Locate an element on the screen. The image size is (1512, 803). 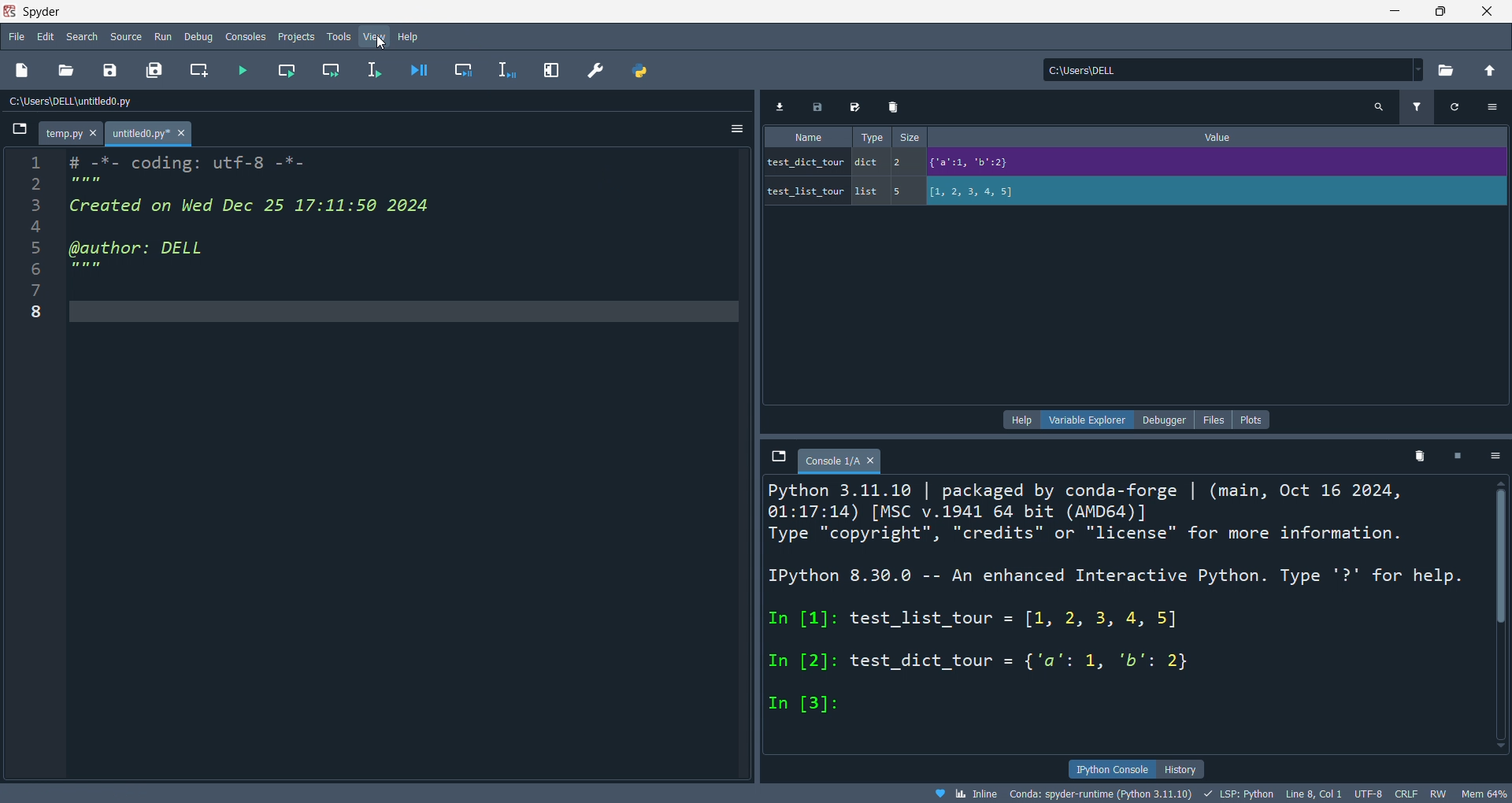
list is located at coordinates (869, 192).